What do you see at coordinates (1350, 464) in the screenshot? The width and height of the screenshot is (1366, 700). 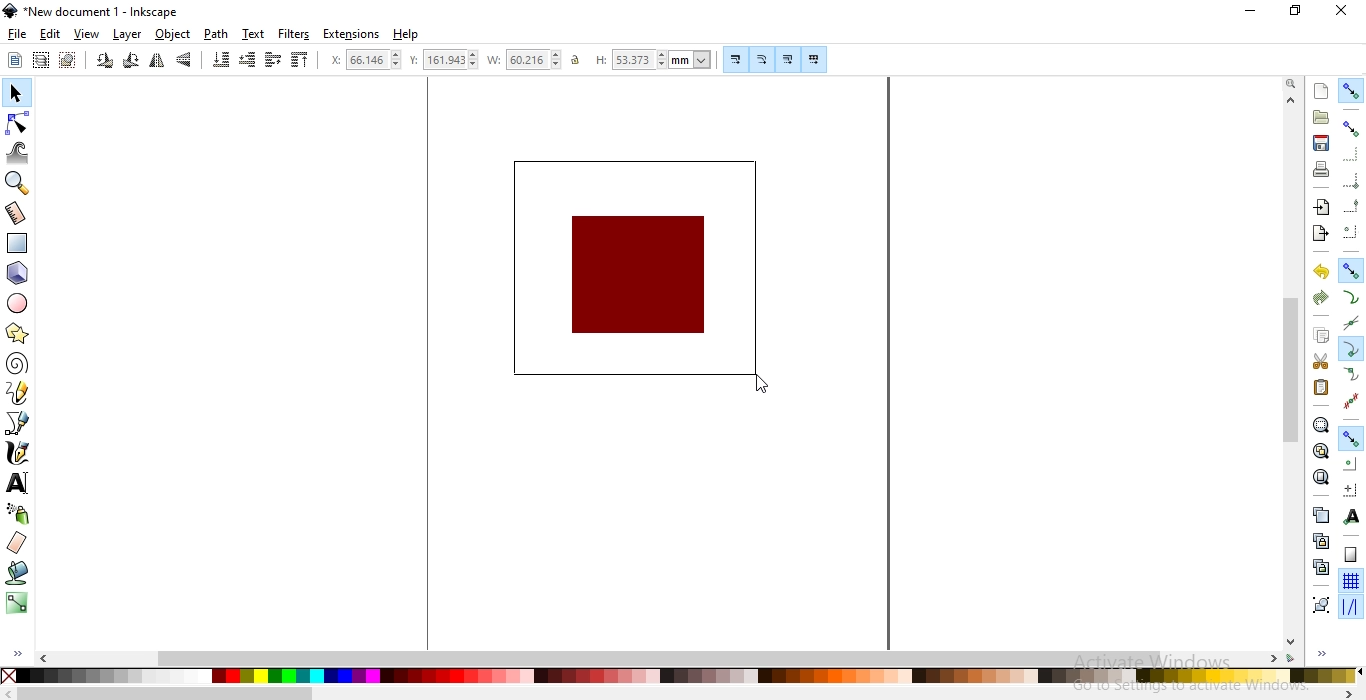 I see `snap centers to objects` at bounding box center [1350, 464].